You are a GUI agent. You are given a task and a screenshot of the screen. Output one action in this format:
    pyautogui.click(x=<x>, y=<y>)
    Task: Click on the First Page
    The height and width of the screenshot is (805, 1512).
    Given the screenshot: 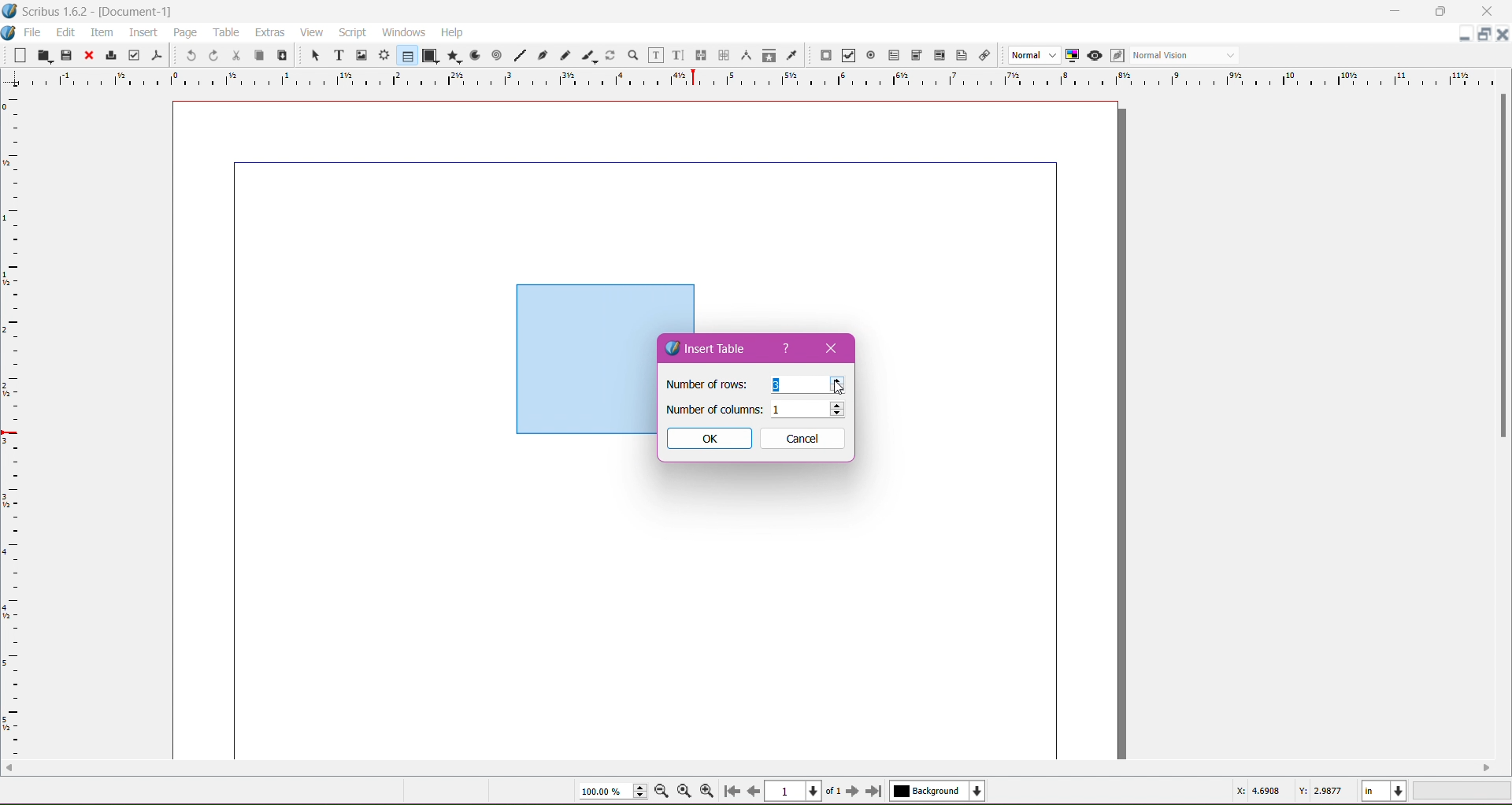 What is the action you would take?
    pyautogui.click(x=731, y=793)
    